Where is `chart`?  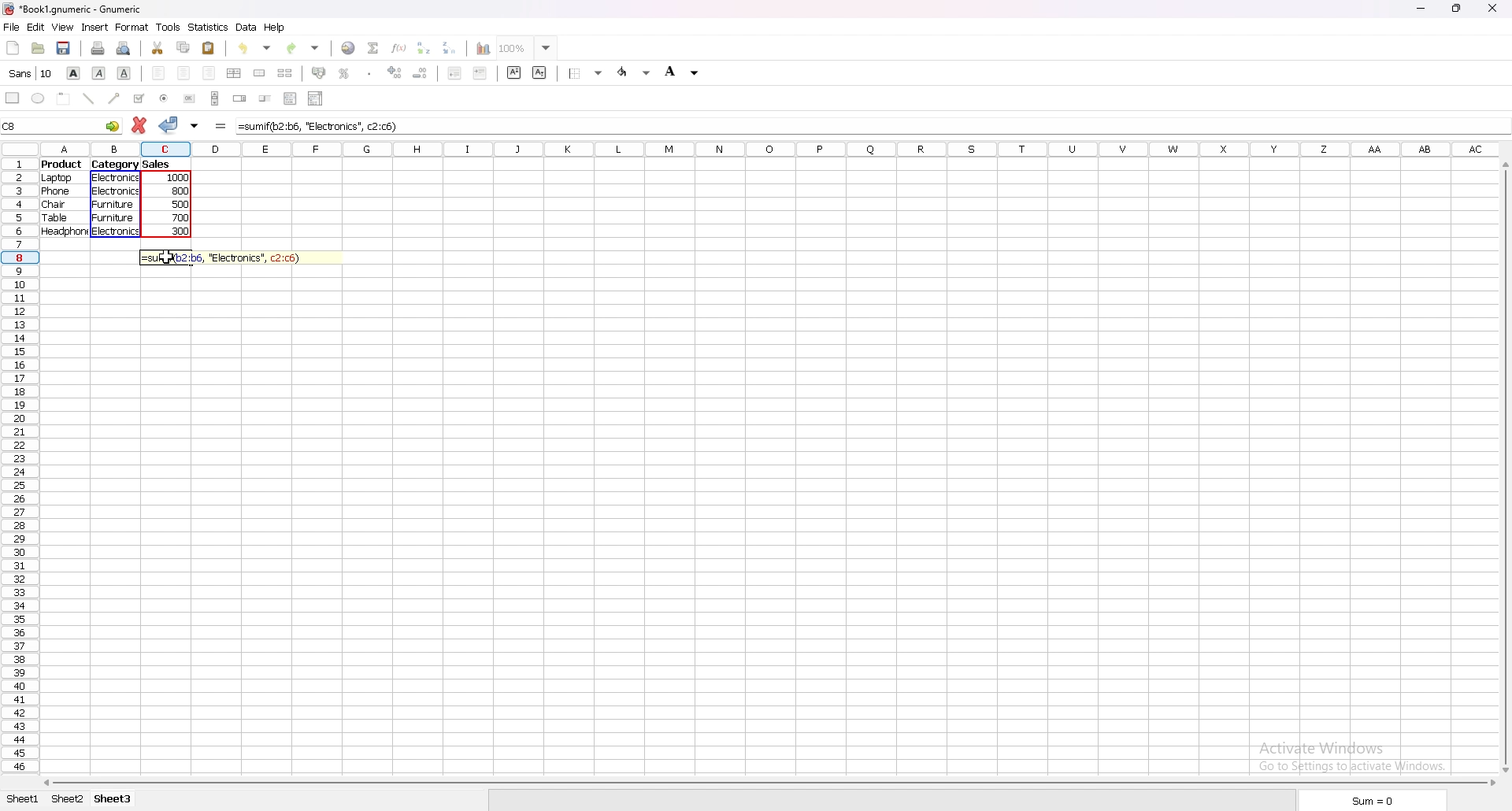
chart is located at coordinates (484, 50).